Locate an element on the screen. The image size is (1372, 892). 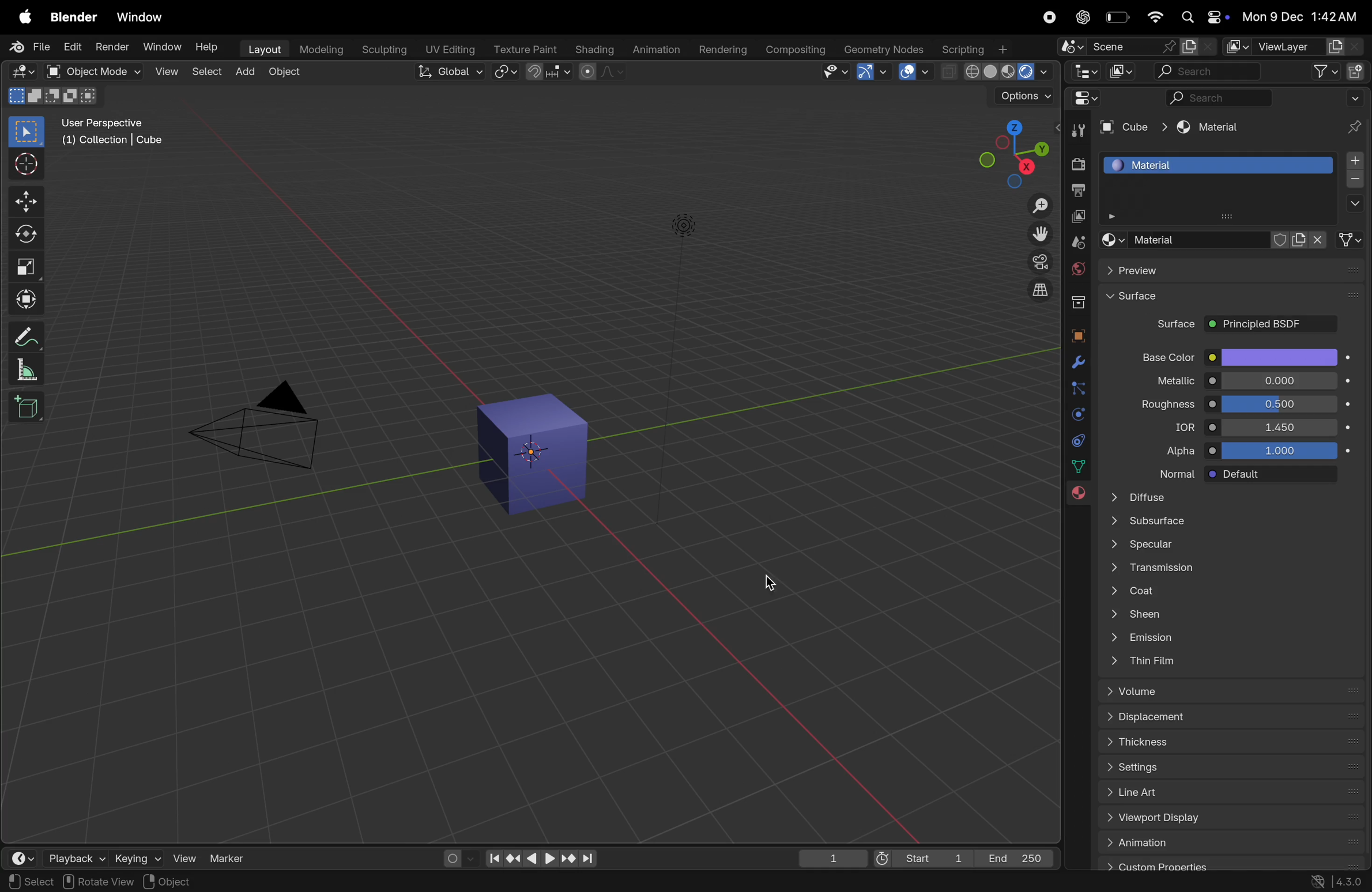
sheen is located at coordinates (1224, 617).